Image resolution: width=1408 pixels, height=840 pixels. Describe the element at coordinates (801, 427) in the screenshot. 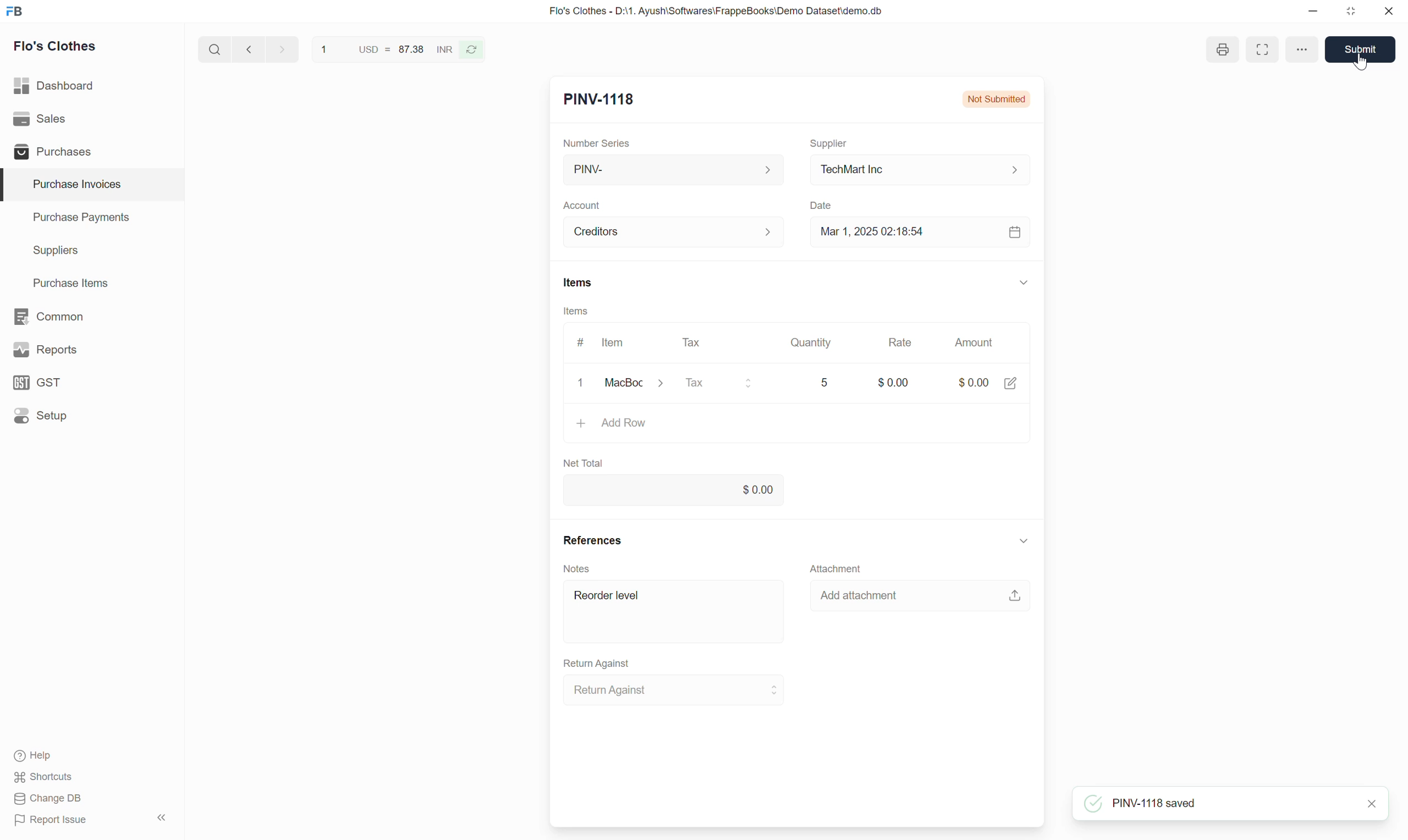

I see `Add Row` at that location.